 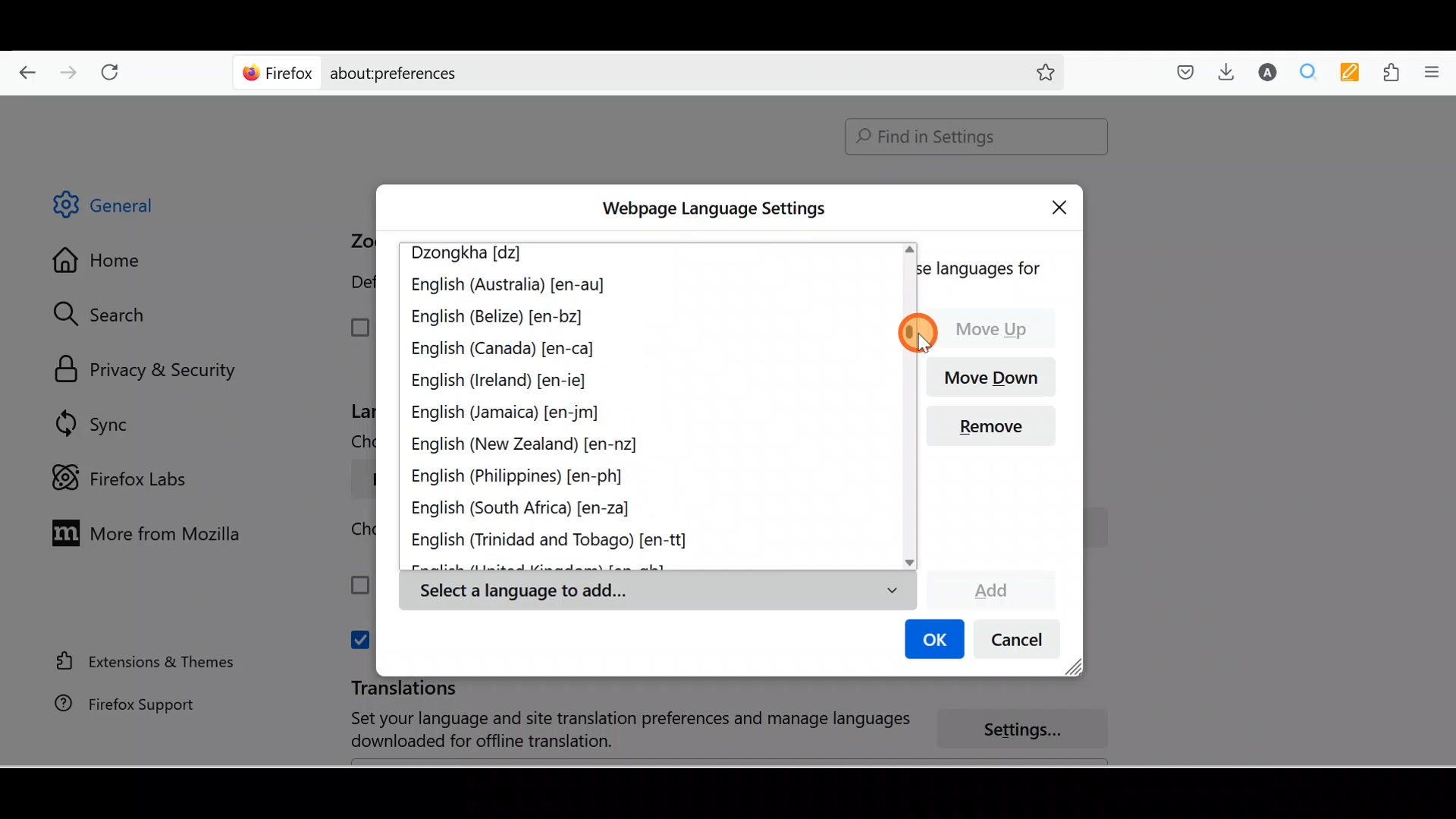 I want to click on Firefox, so click(x=278, y=72).